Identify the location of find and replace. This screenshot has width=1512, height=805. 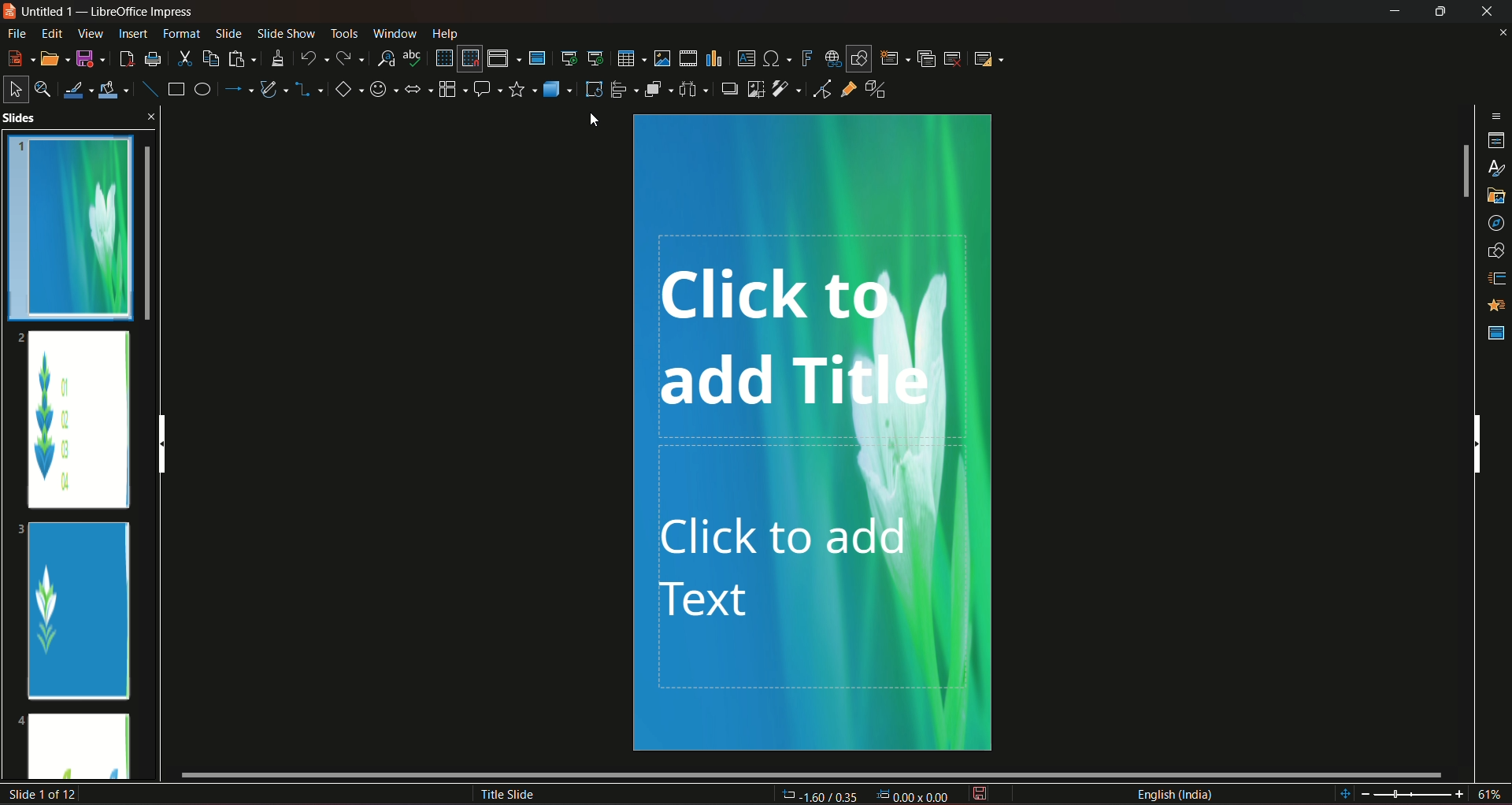
(386, 57).